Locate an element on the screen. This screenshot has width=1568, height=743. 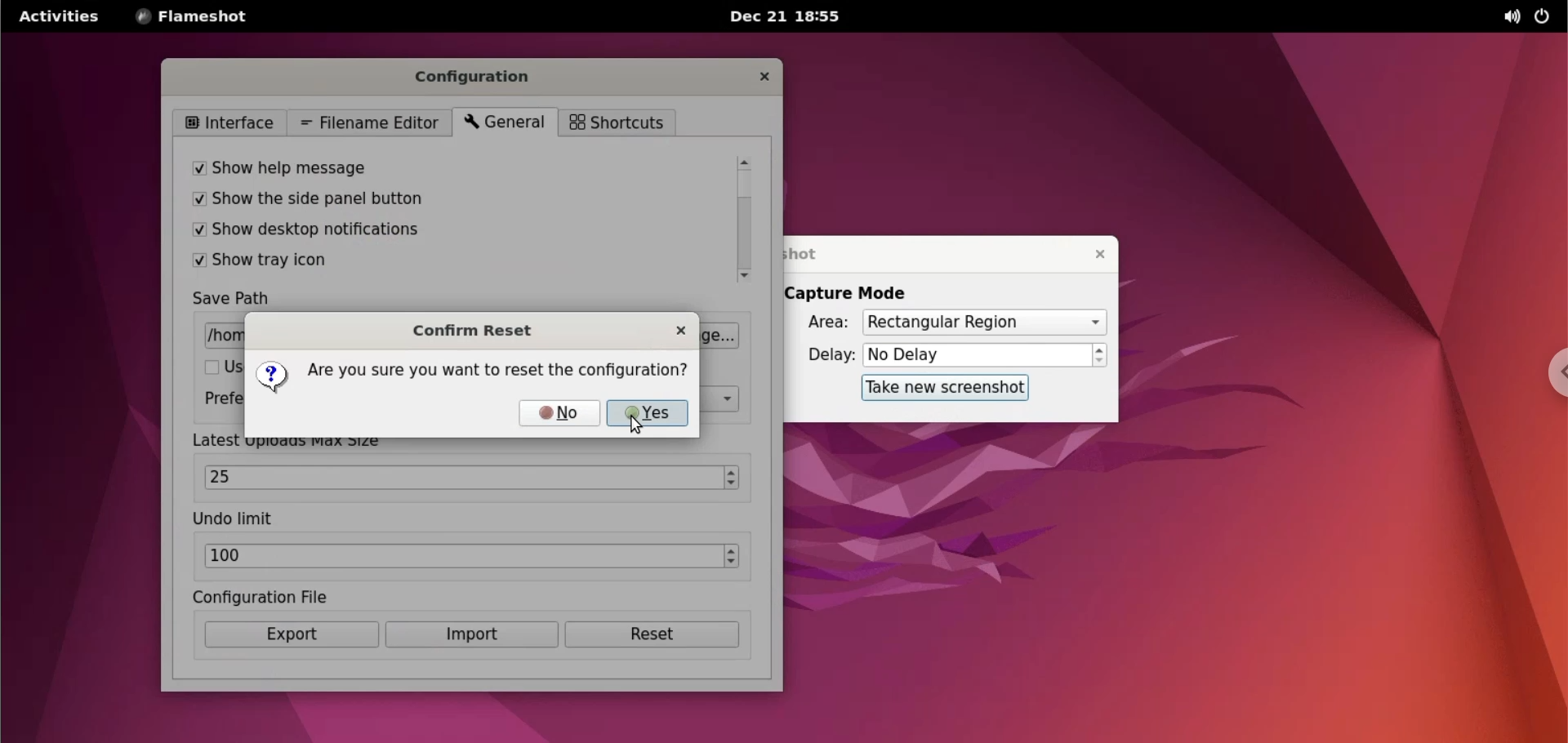
100 is located at coordinates (464, 556).